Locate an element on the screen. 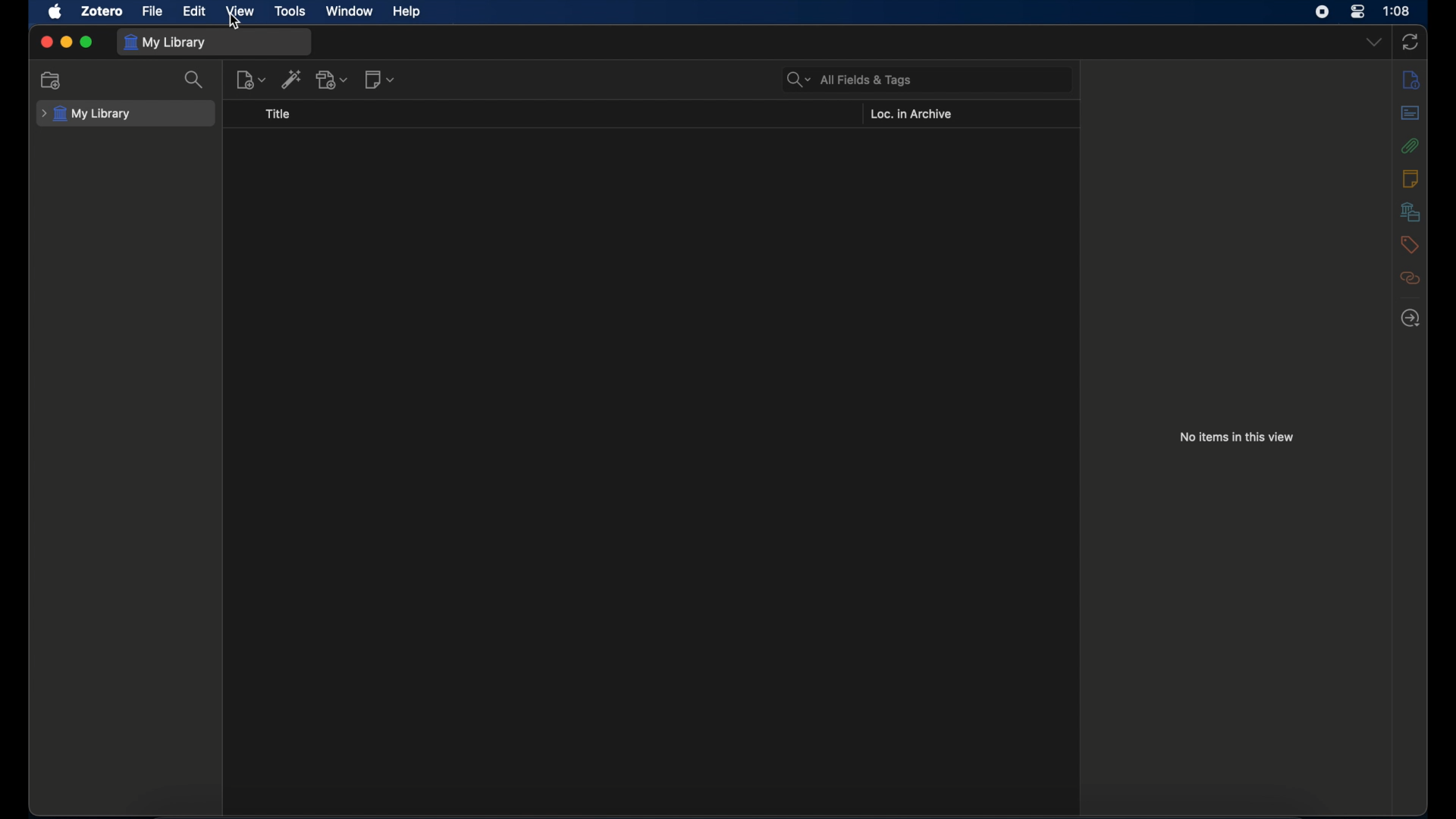 Image resolution: width=1456 pixels, height=819 pixels. close is located at coordinates (45, 42).